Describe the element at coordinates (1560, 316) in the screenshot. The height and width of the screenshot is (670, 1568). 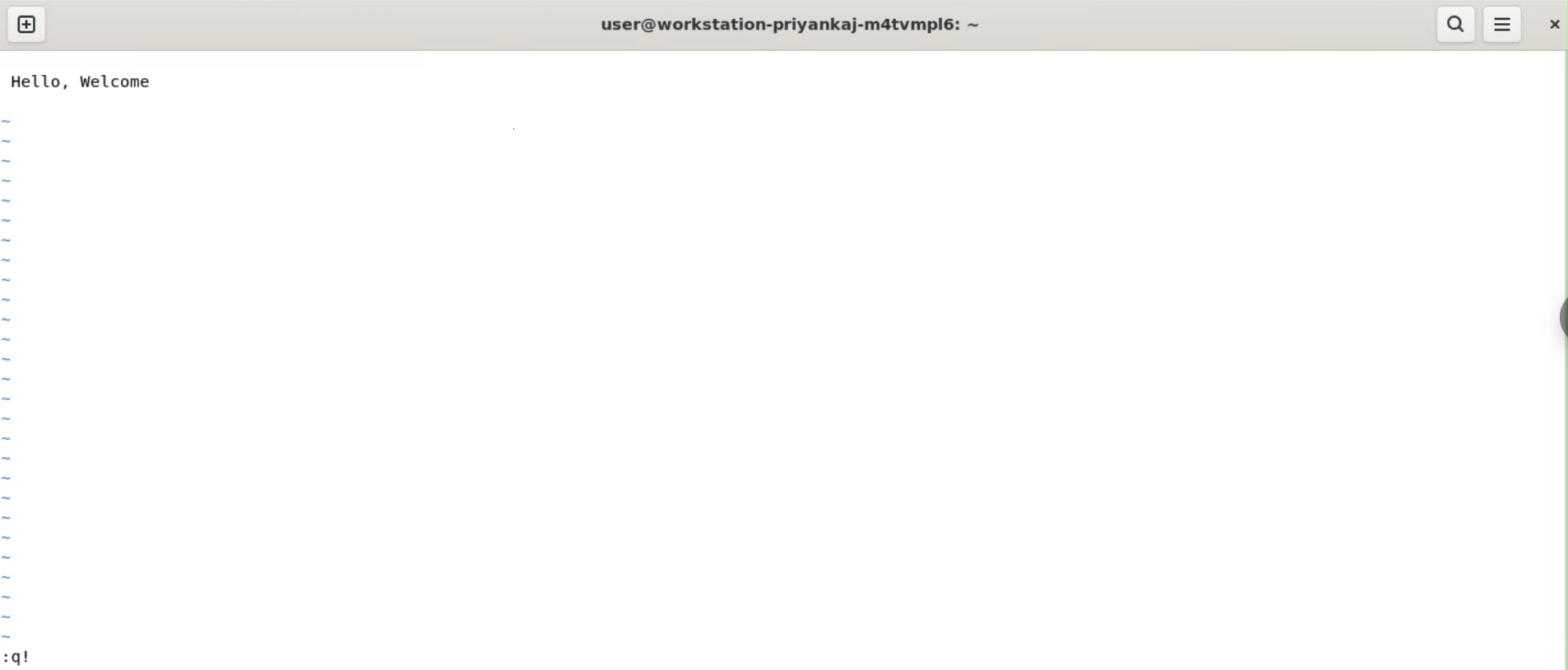
I see `sidebar` at that location.